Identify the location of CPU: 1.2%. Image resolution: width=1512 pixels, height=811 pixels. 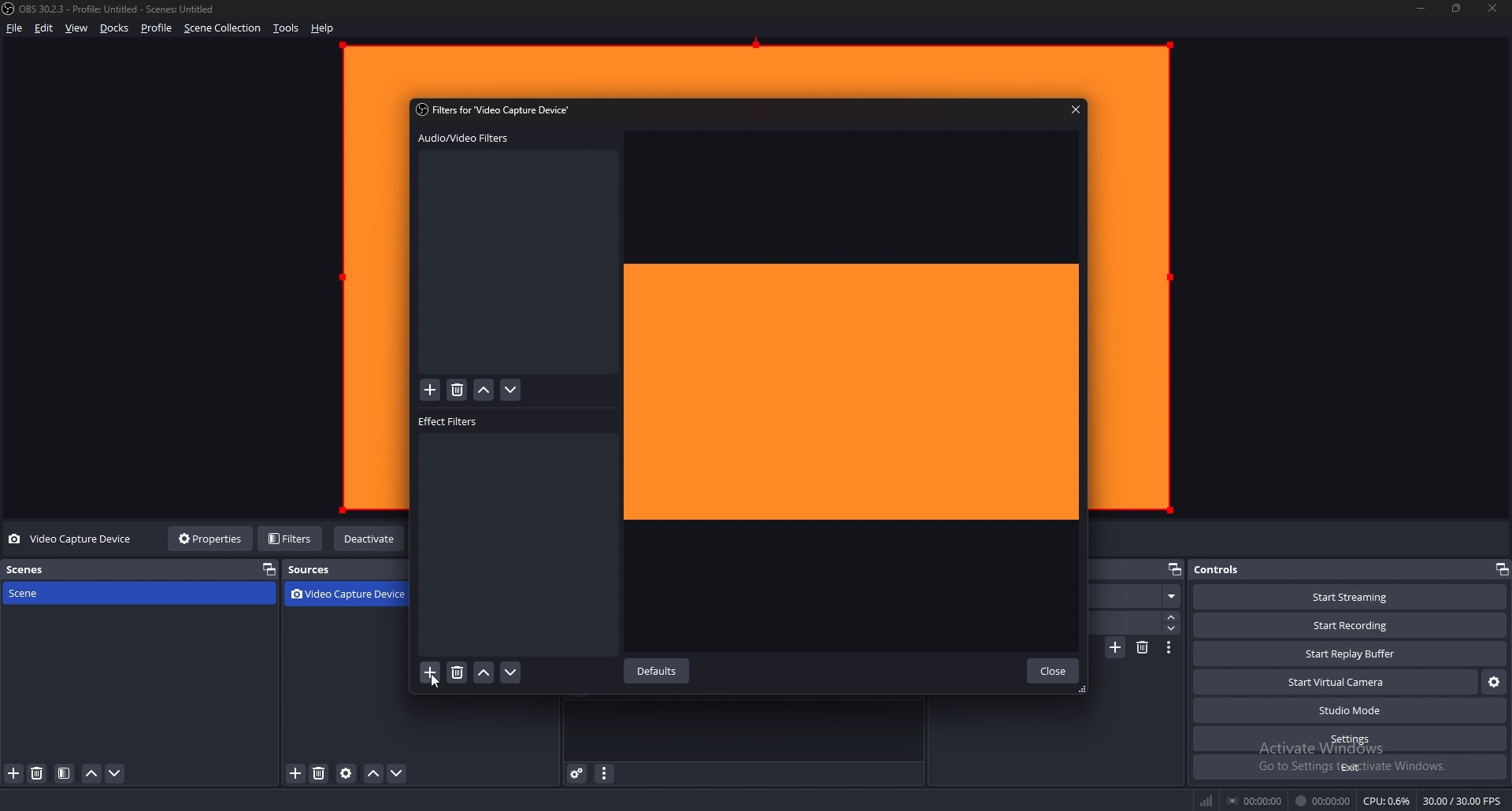
(1388, 801).